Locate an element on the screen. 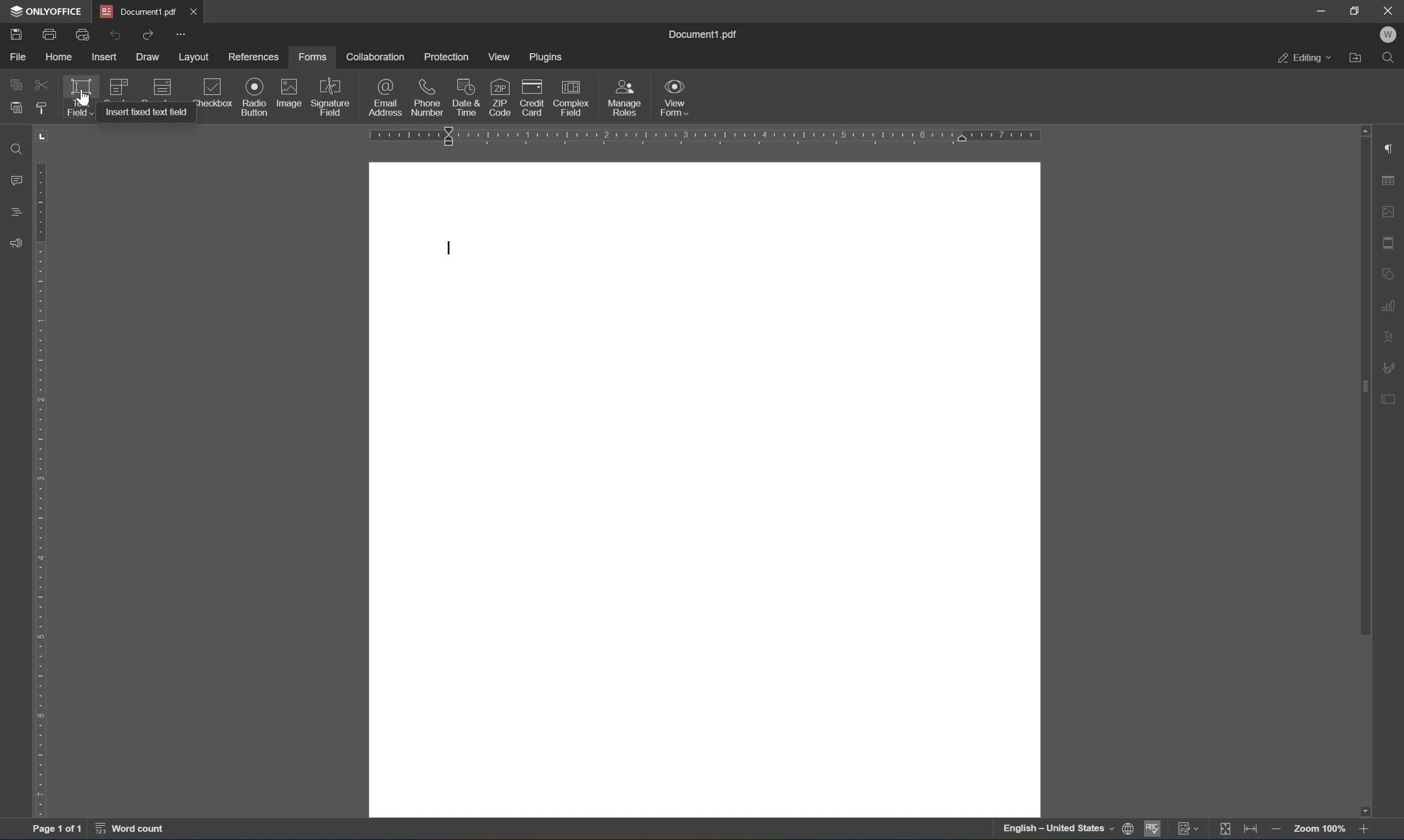  zoom in is located at coordinates (1369, 832).